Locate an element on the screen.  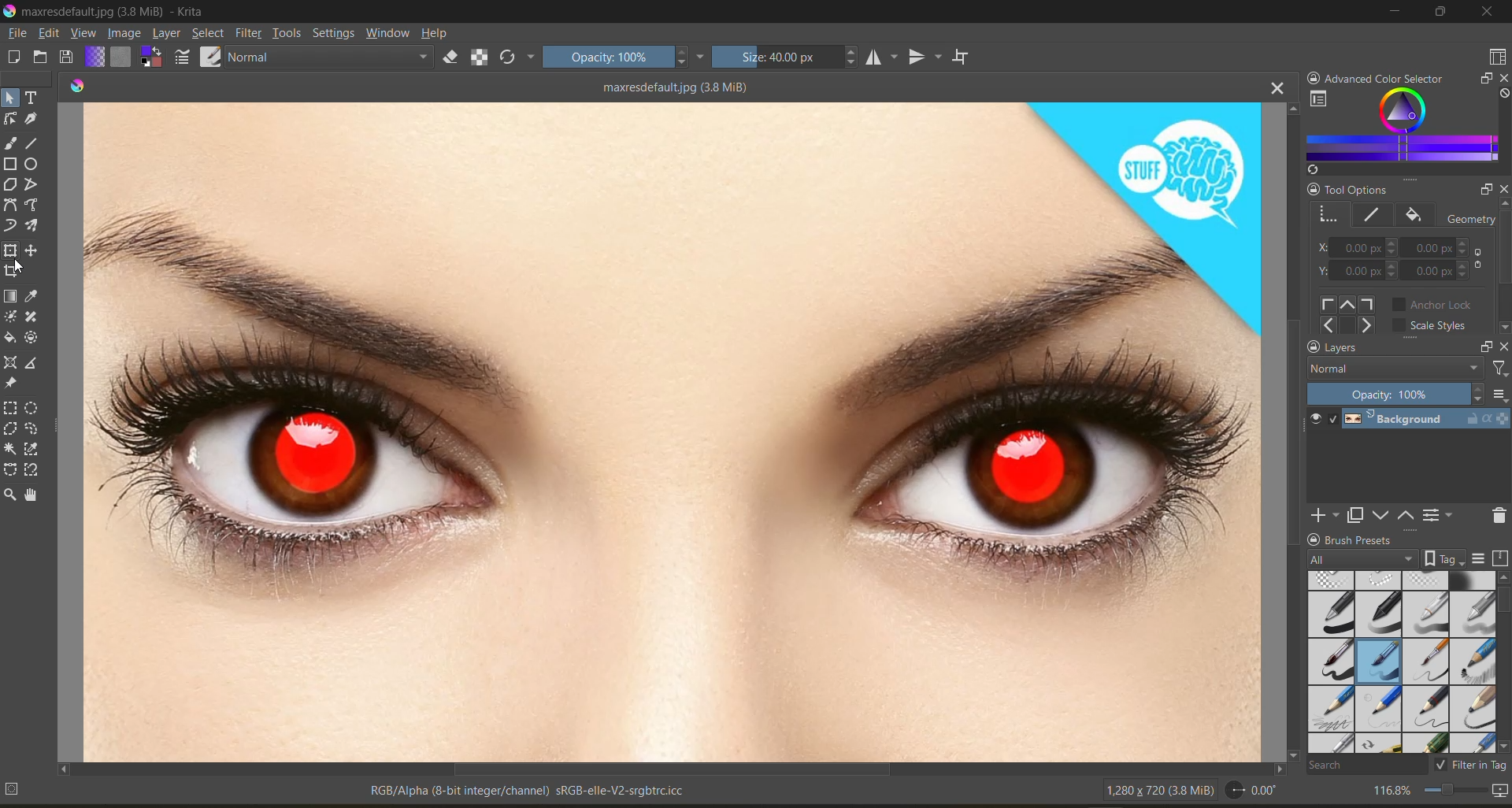
xy axis is located at coordinates (1444, 272).